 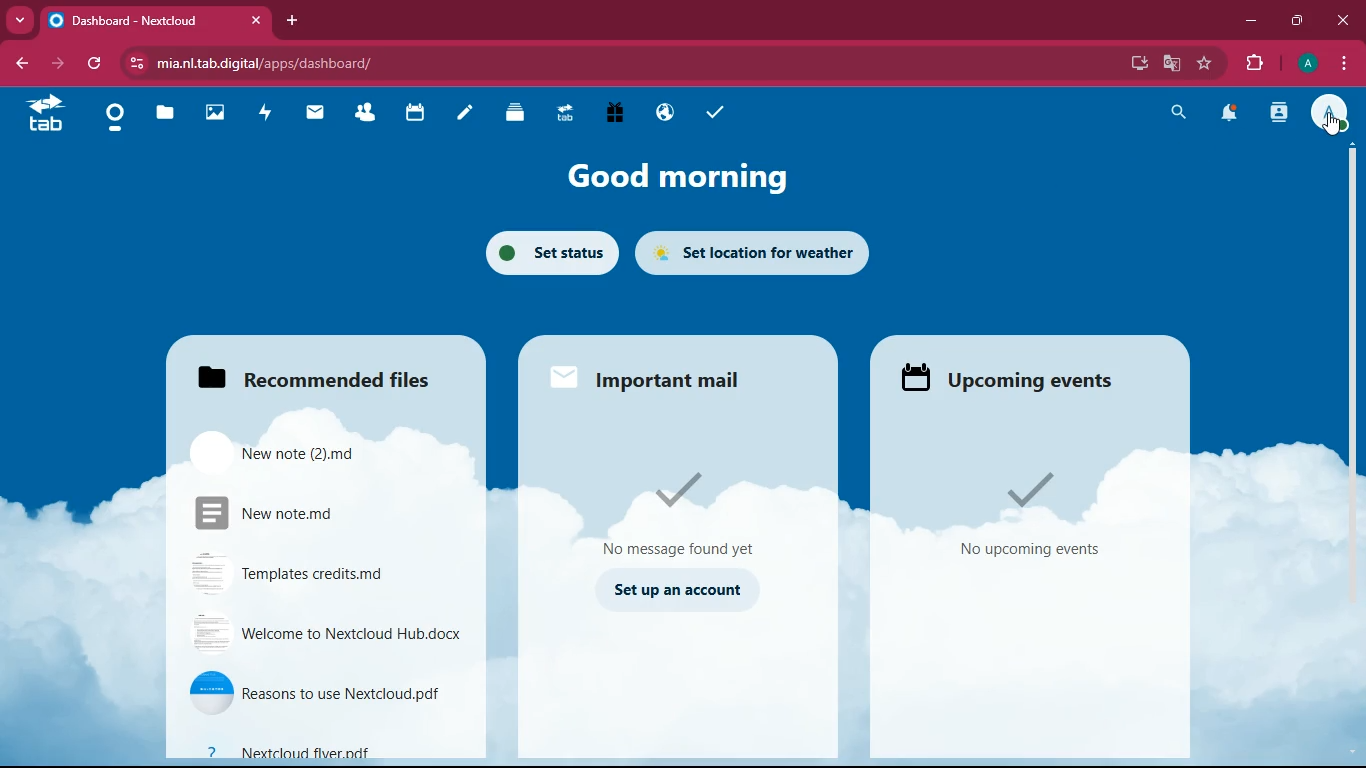 What do you see at coordinates (302, 576) in the screenshot?
I see `file` at bounding box center [302, 576].